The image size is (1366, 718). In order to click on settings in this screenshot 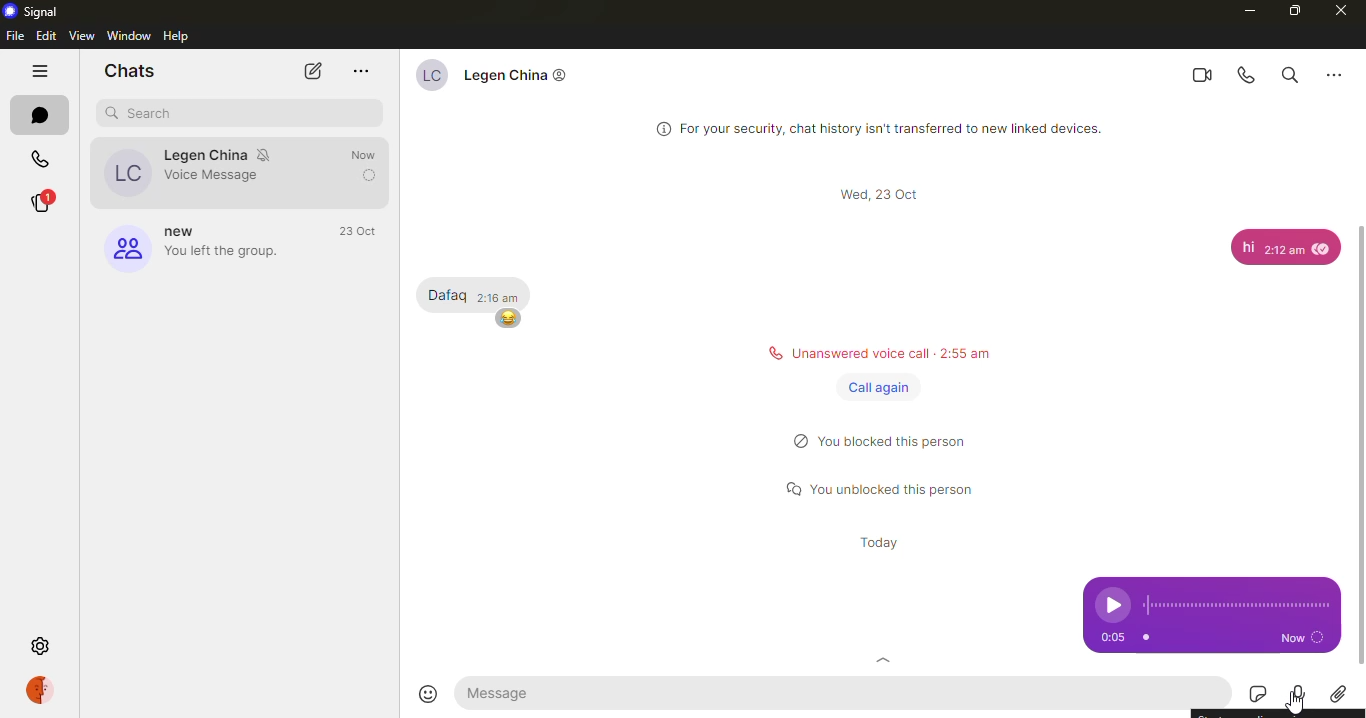, I will do `click(38, 646)`.